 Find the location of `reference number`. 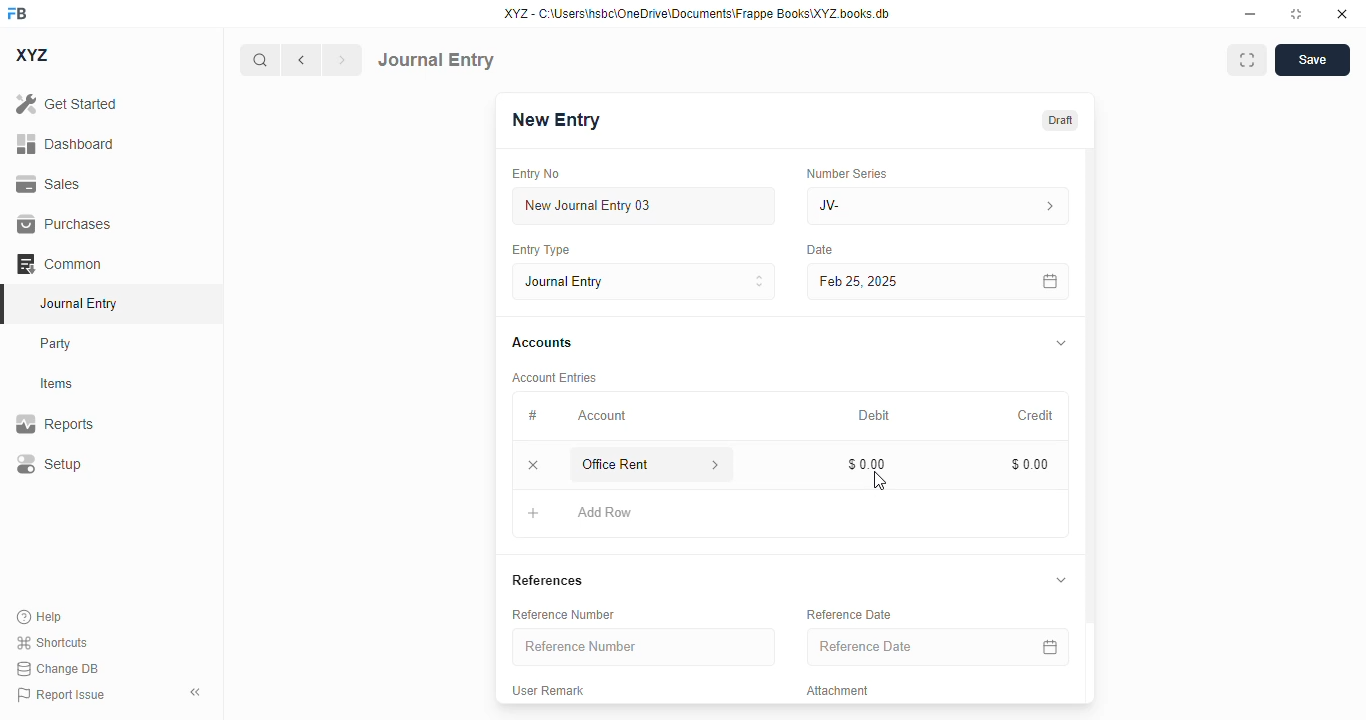

reference number is located at coordinates (643, 646).